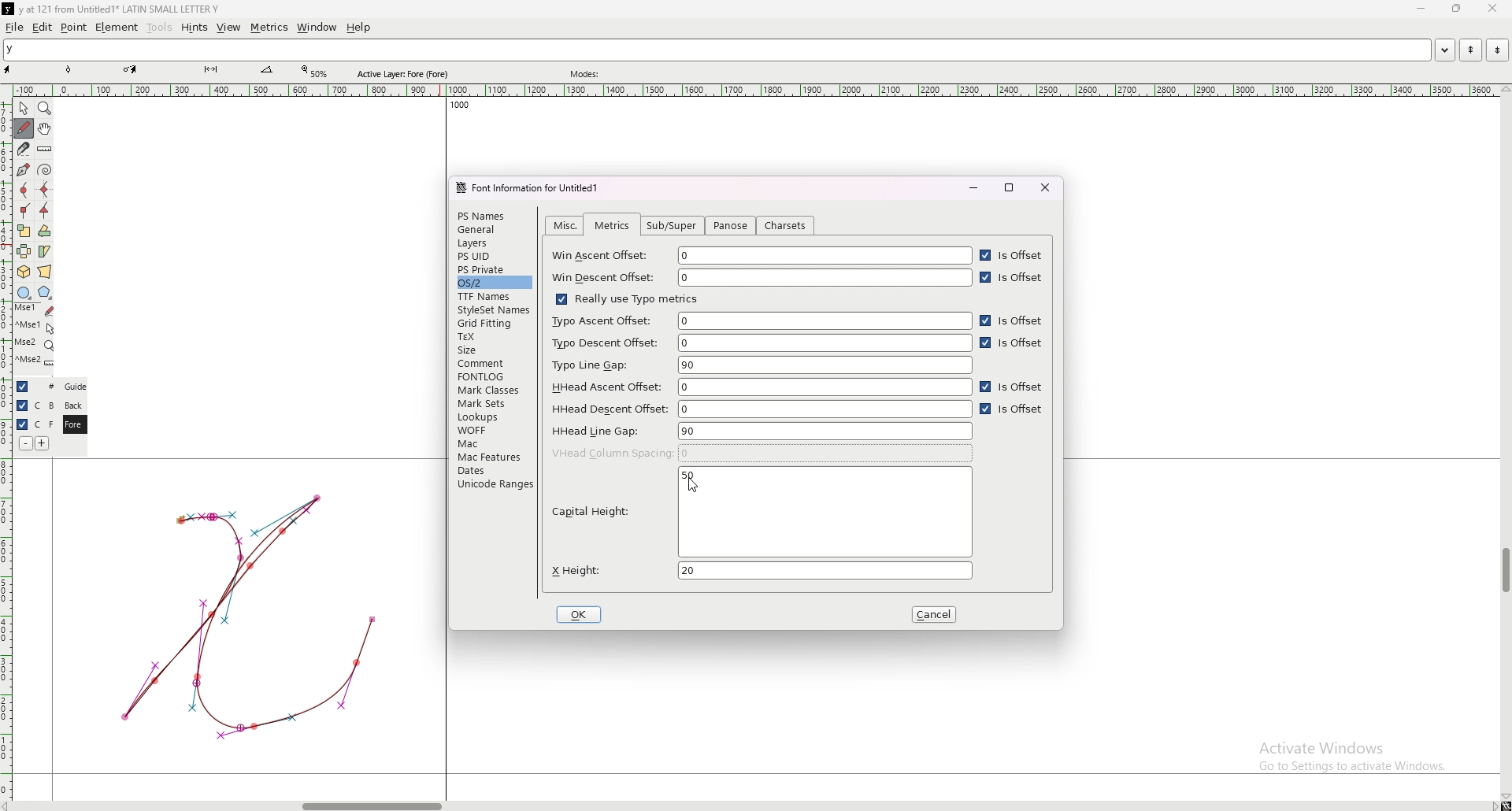  I want to click on misc, so click(566, 225).